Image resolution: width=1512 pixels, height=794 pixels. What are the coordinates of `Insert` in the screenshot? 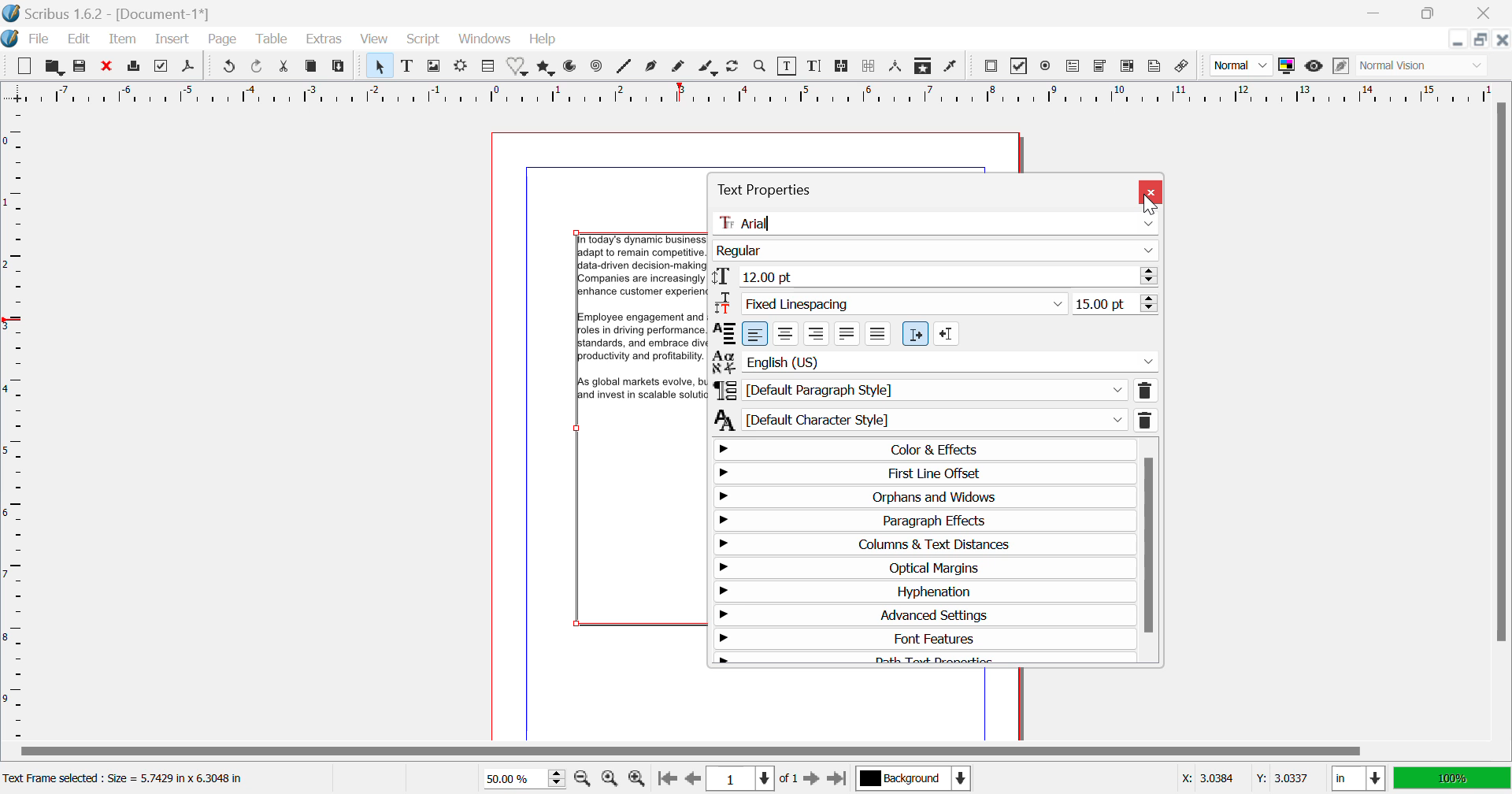 It's located at (174, 39).